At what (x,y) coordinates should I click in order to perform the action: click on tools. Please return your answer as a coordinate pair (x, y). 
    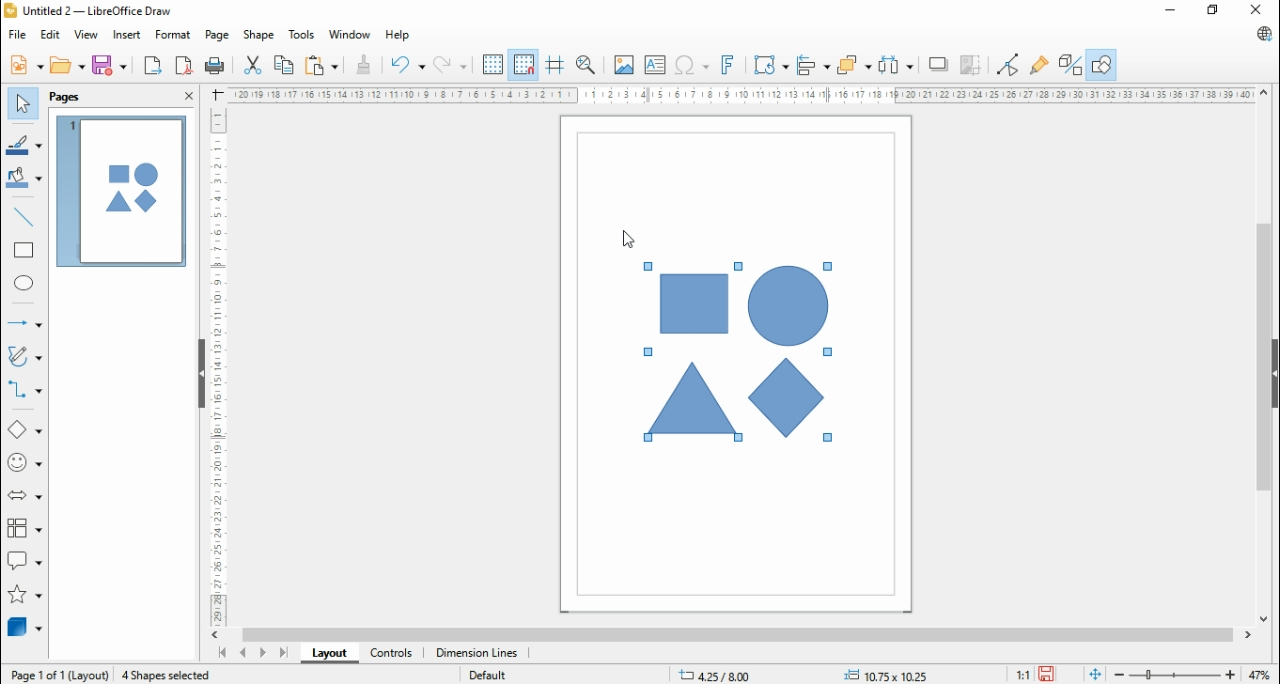
    Looking at the image, I should click on (303, 34).